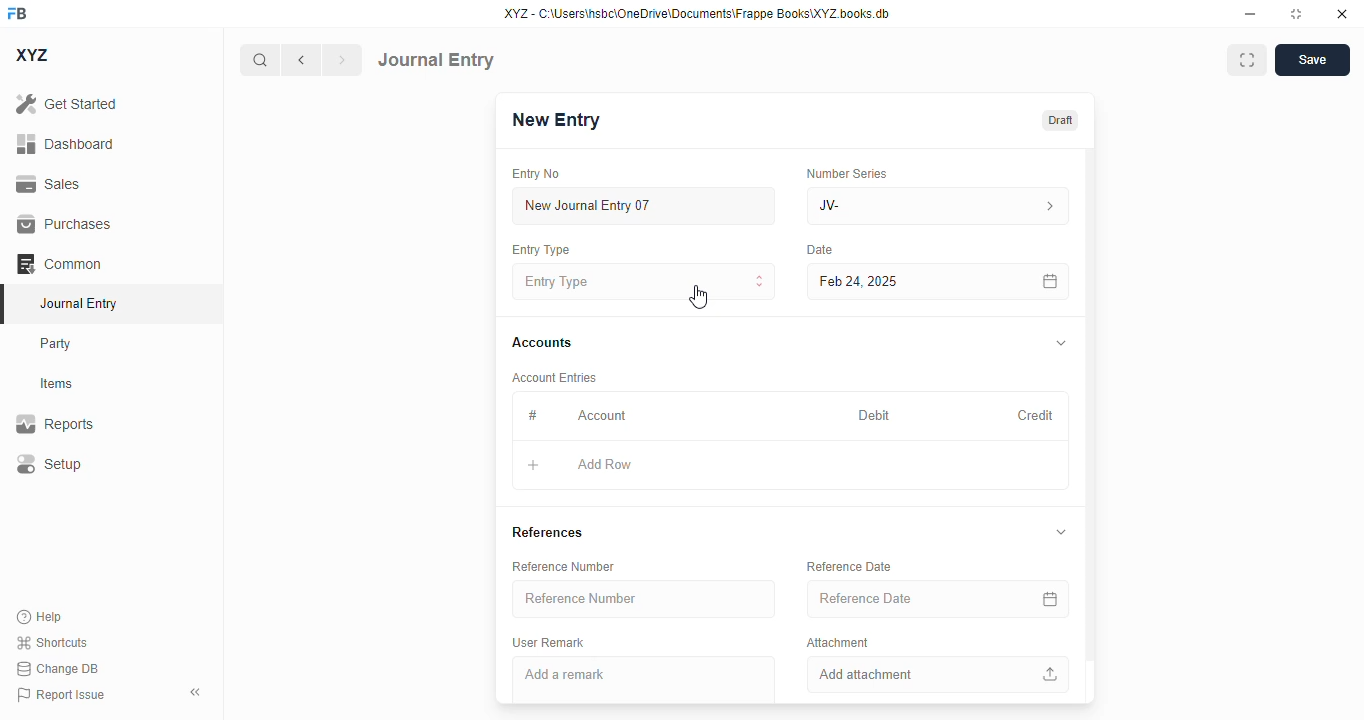  What do you see at coordinates (301, 60) in the screenshot?
I see `previous` at bounding box center [301, 60].